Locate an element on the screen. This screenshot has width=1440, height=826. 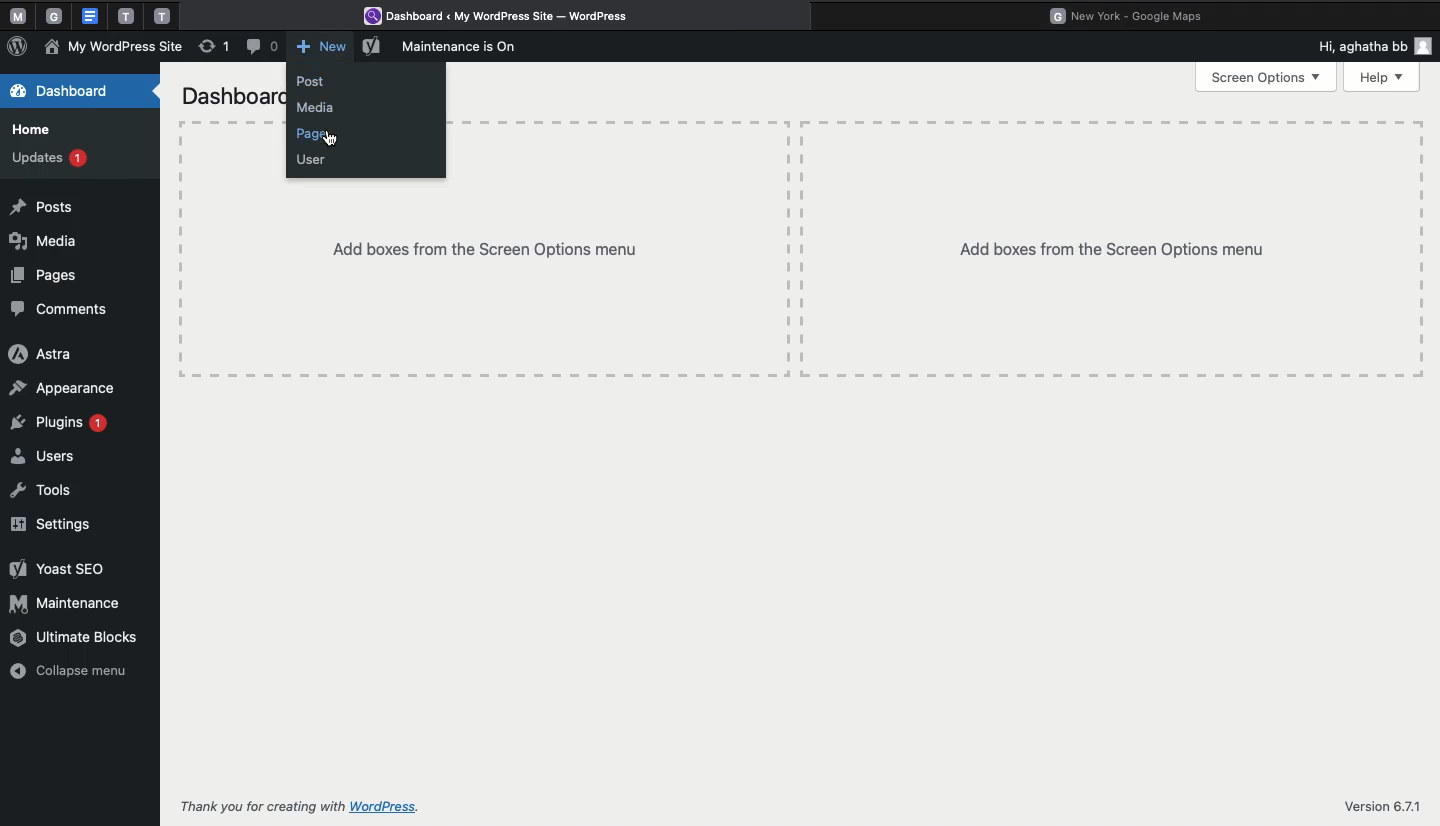
Click is located at coordinates (329, 139).